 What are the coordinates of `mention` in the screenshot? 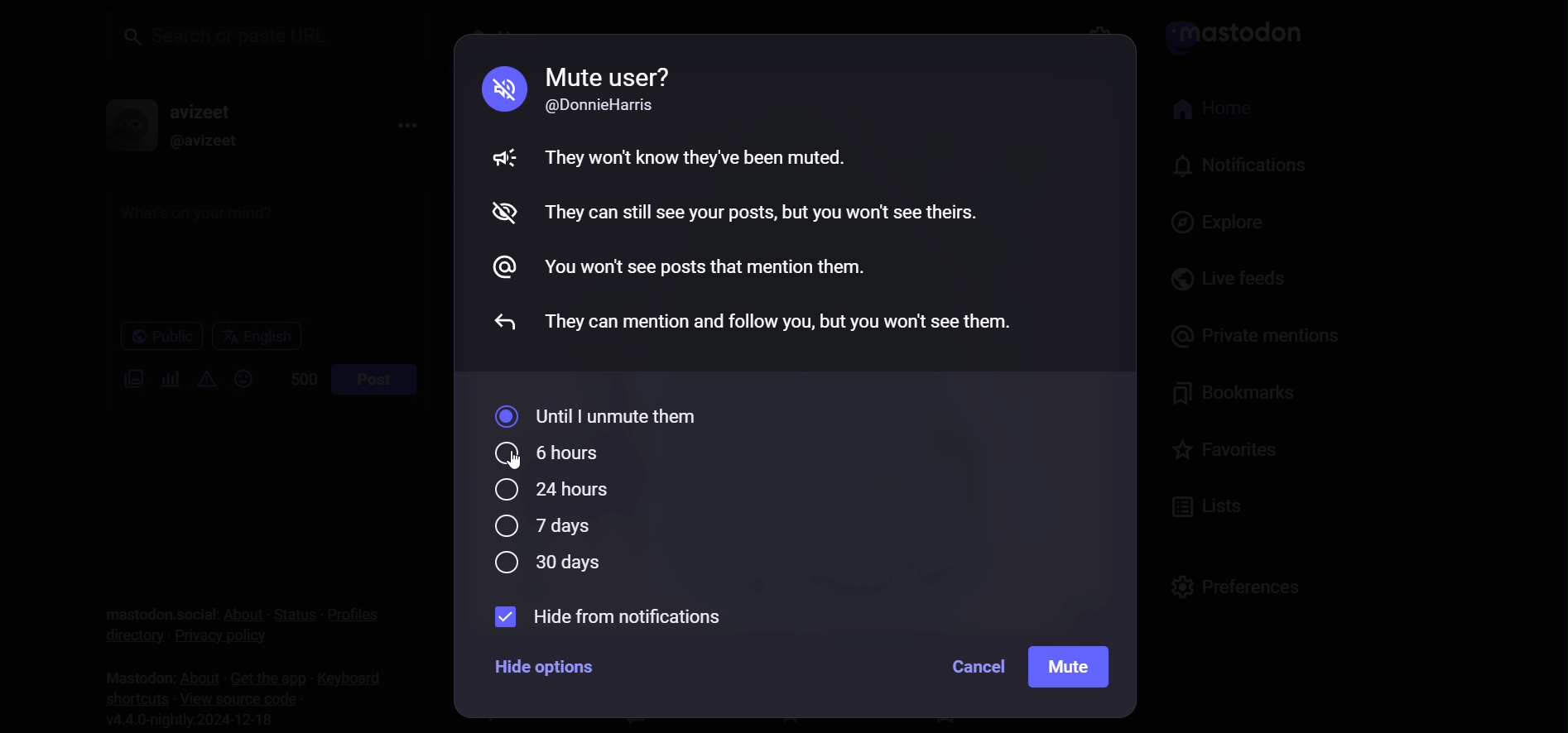 It's located at (509, 267).